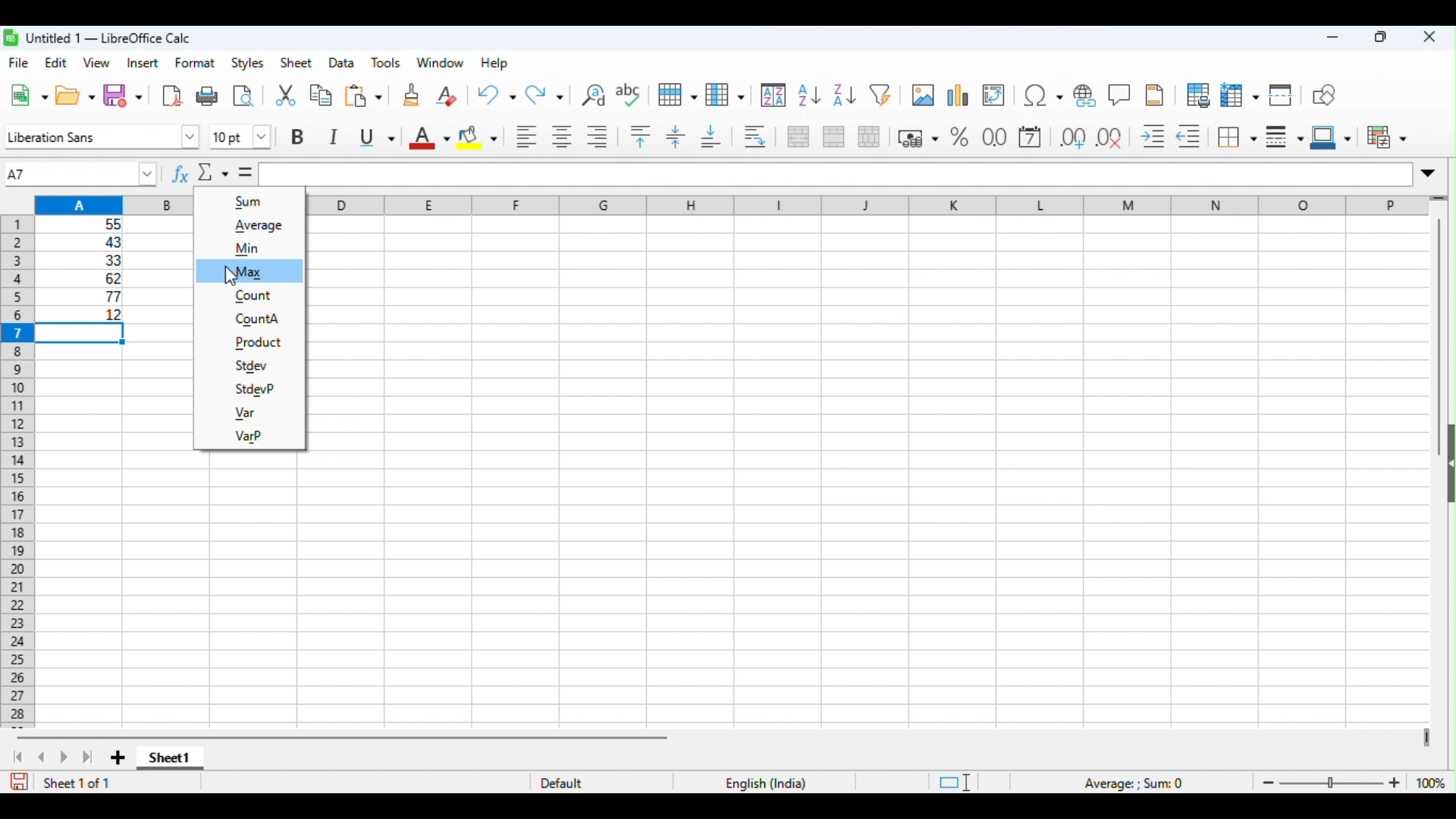  I want to click on title, so click(99, 37).